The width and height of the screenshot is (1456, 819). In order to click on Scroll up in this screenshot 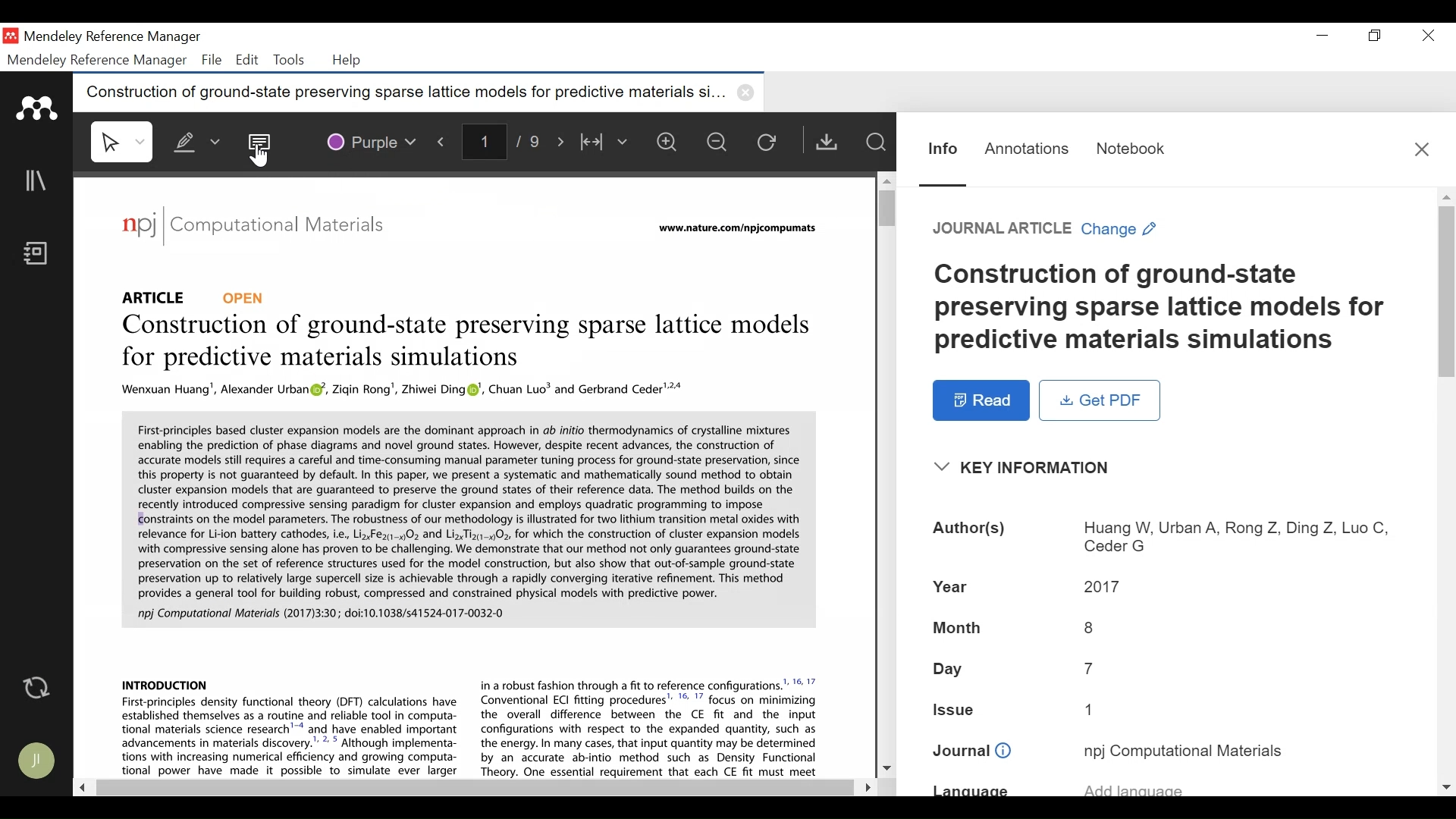, I will do `click(1447, 196)`.